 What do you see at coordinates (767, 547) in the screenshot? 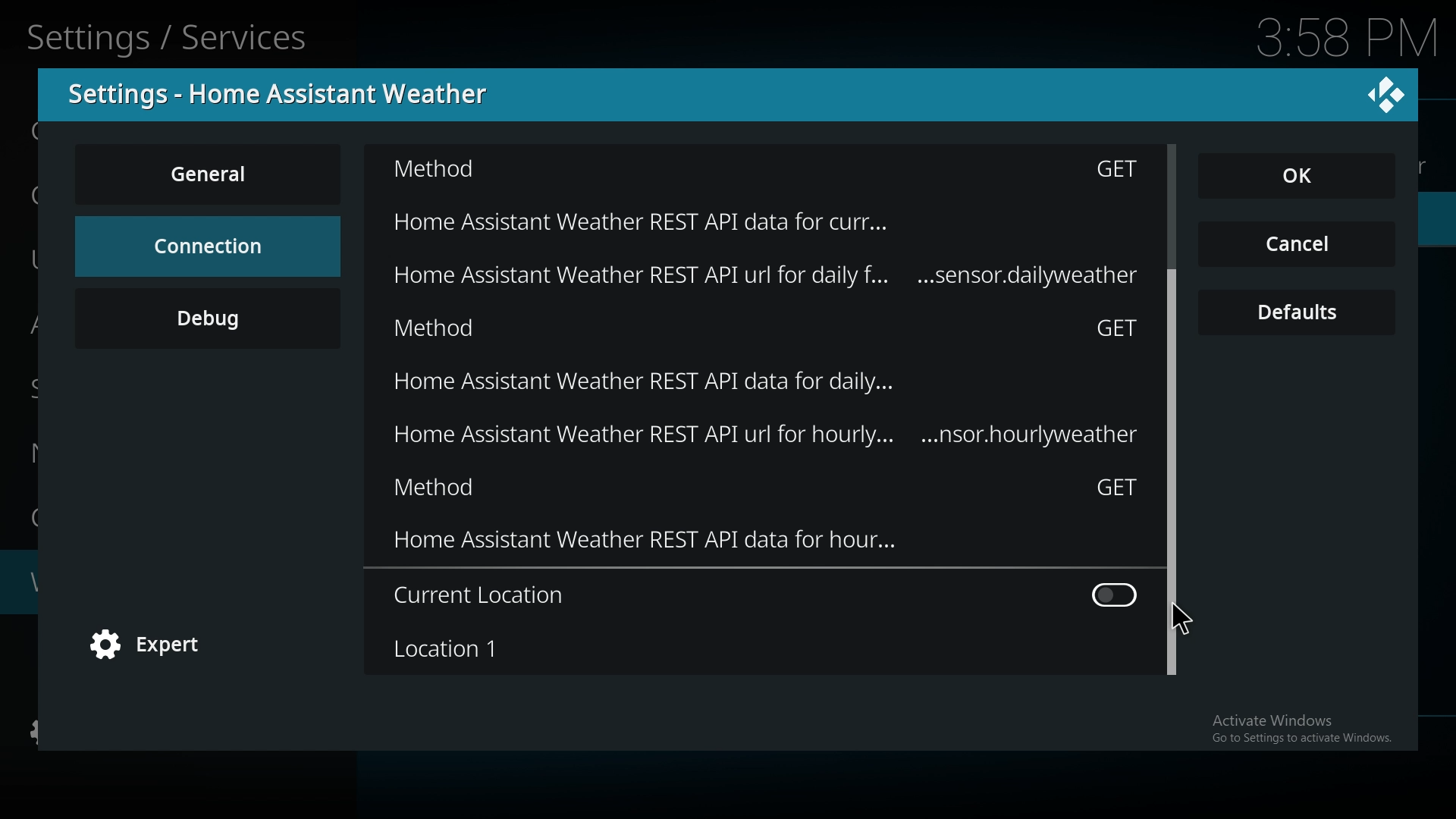
I see `Home assistant weather rest API data for hour` at bounding box center [767, 547].